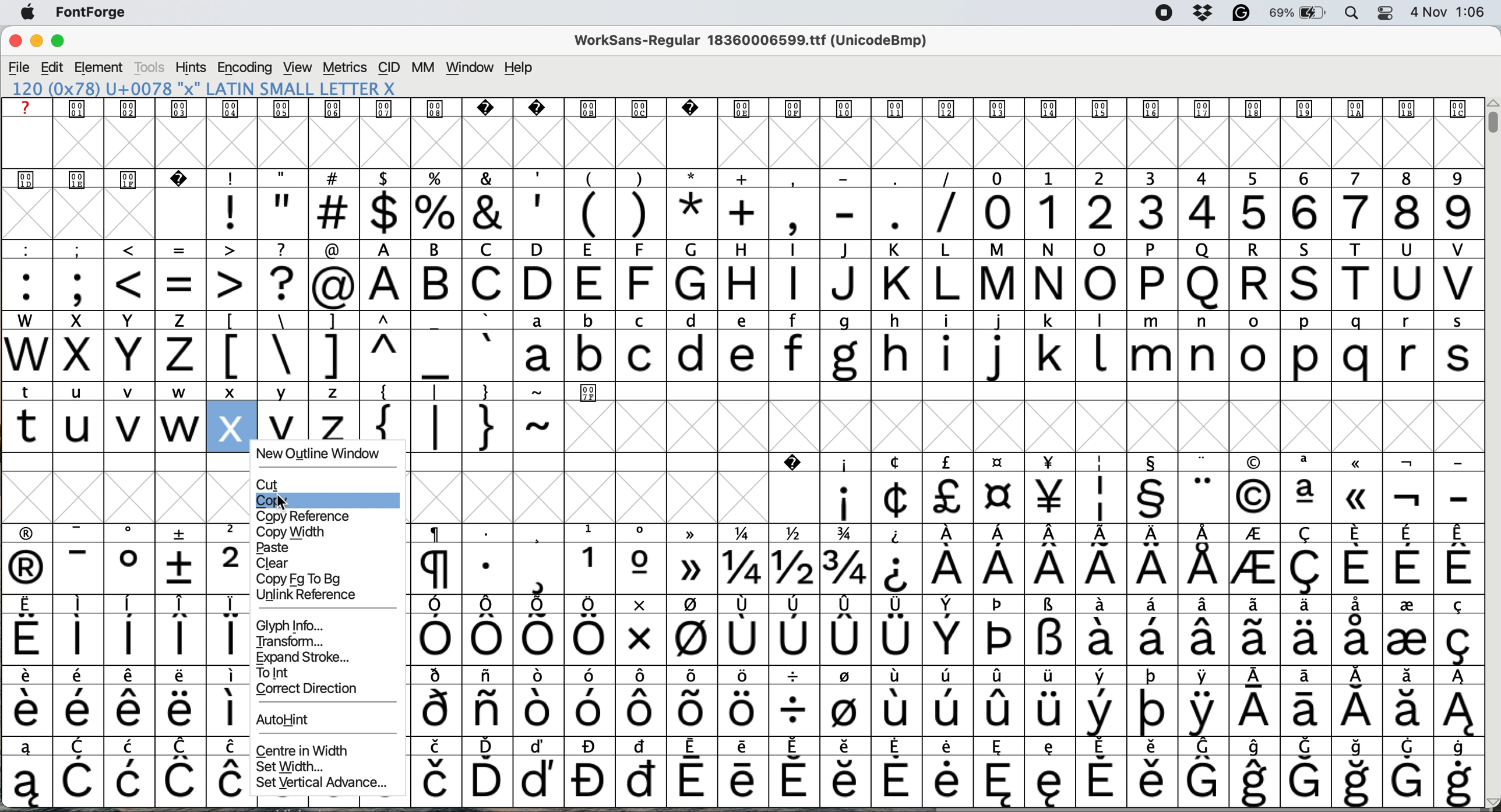 Image resolution: width=1501 pixels, height=812 pixels. Describe the element at coordinates (588, 213) in the screenshot. I see `special characters` at that location.